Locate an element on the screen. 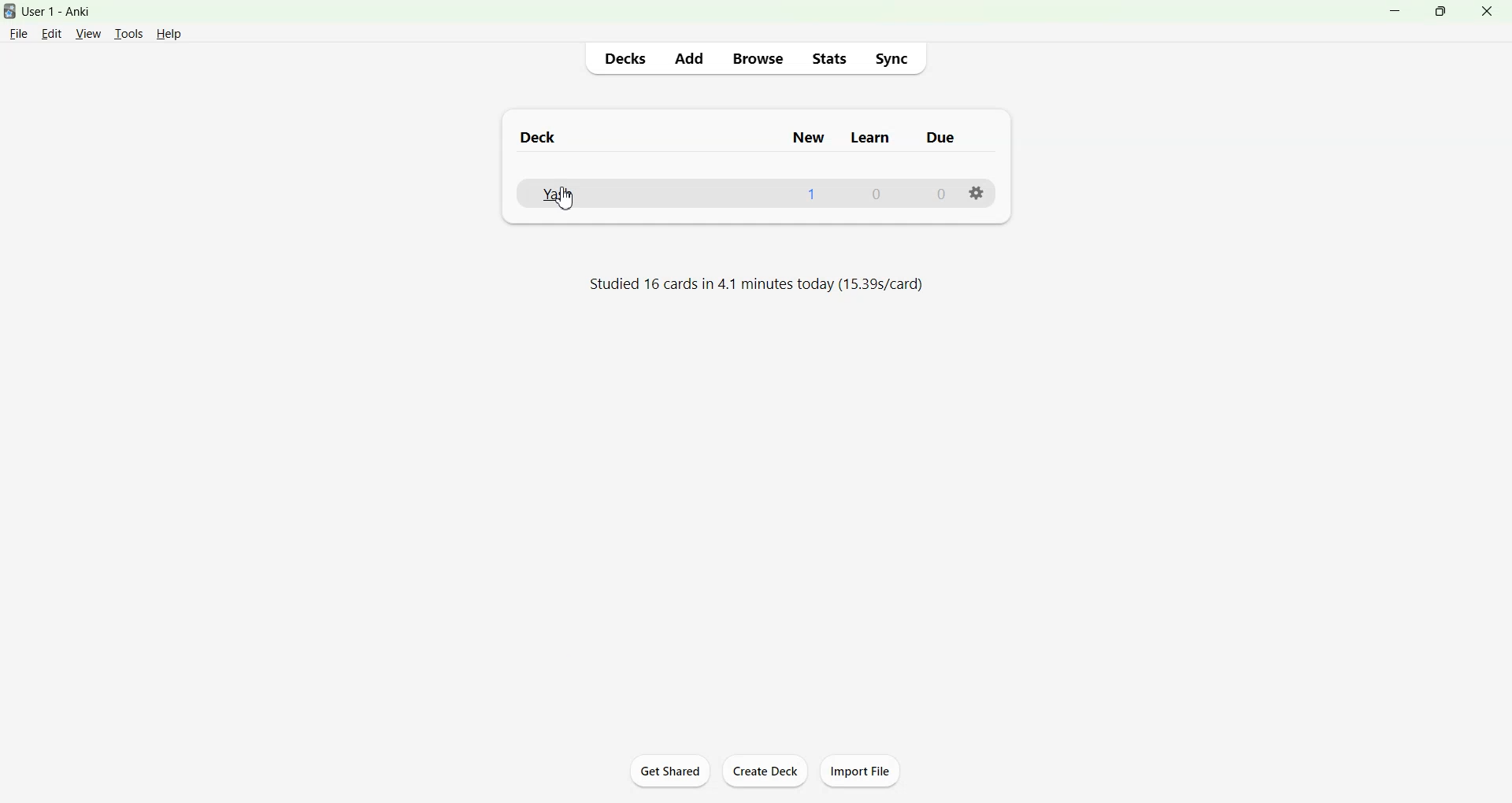 The height and width of the screenshot is (803, 1512). Get Shared is located at coordinates (672, 770).